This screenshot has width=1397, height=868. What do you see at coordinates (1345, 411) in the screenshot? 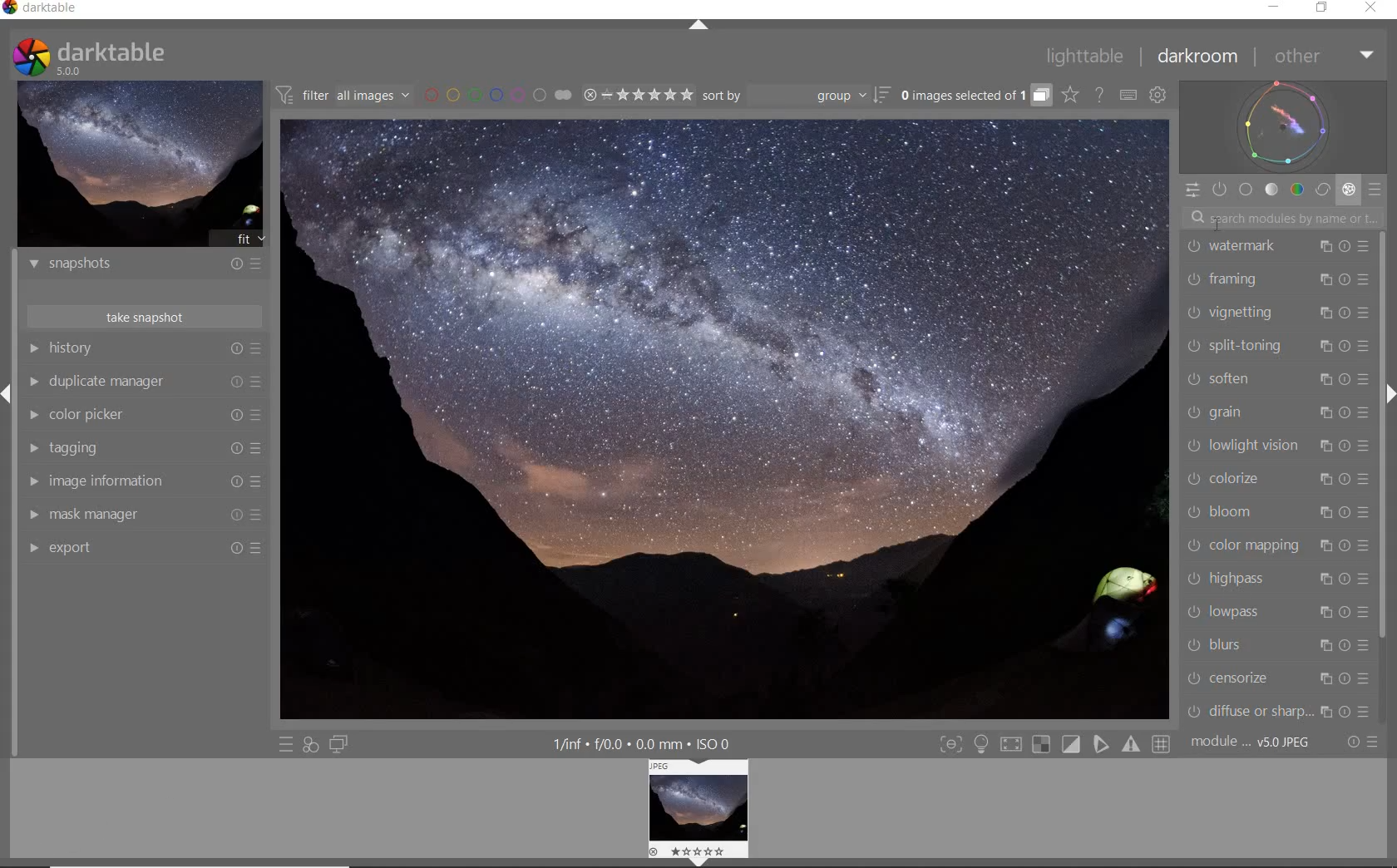
I see `reset parameters` at bounding box center [1345, 411].